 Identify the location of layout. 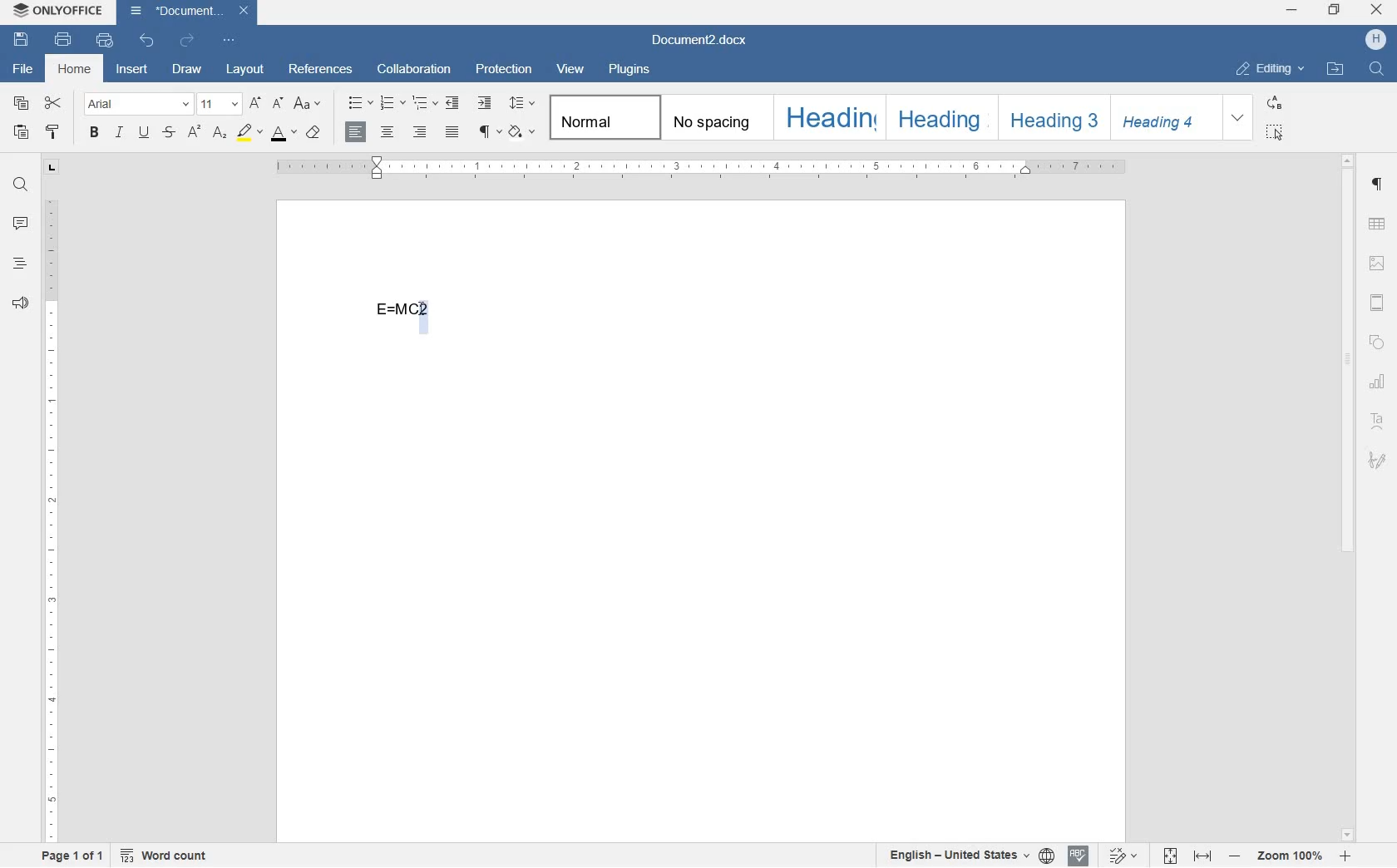
(244, 71).